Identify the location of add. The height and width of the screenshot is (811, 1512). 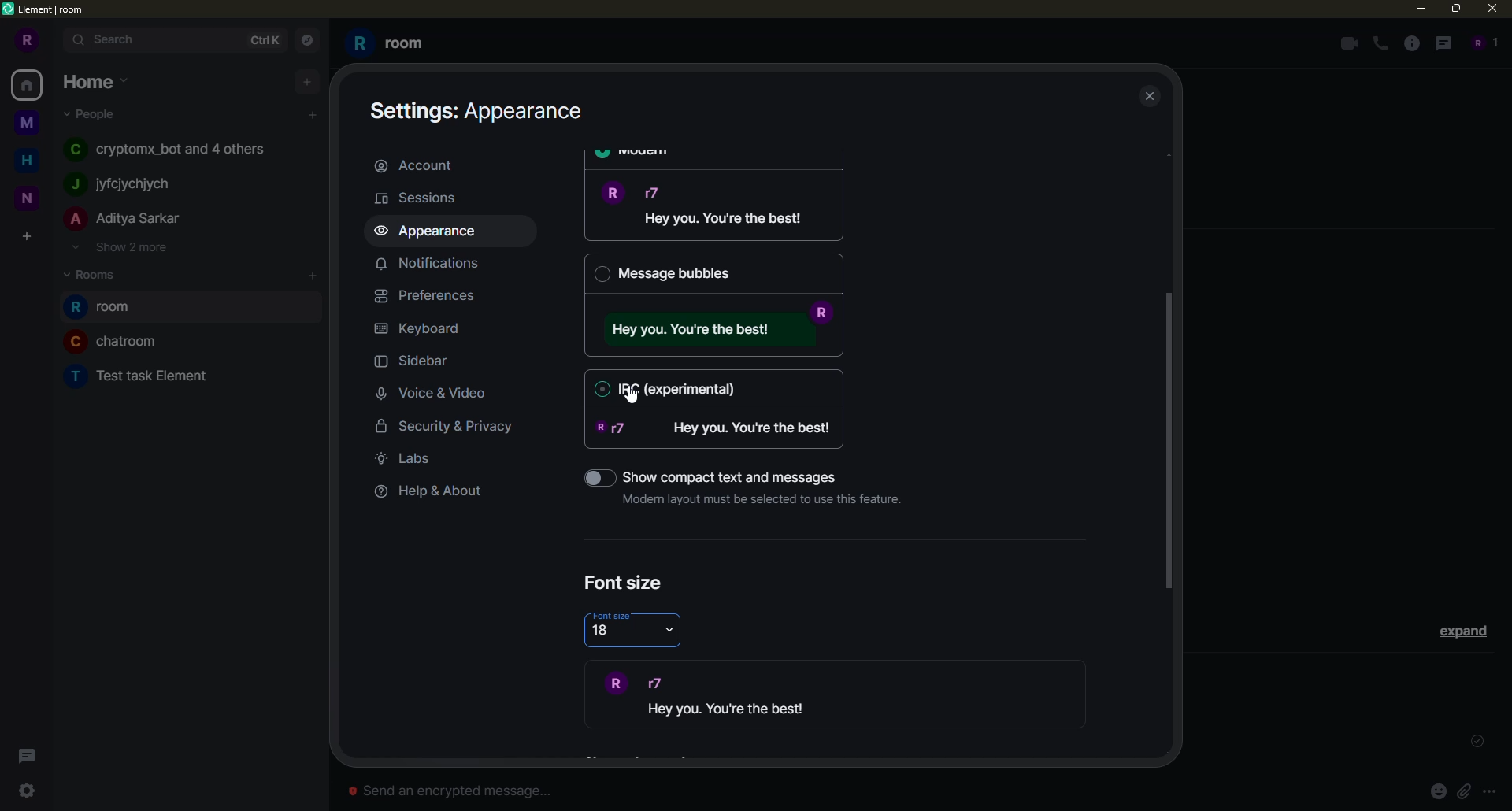
(307, 80).